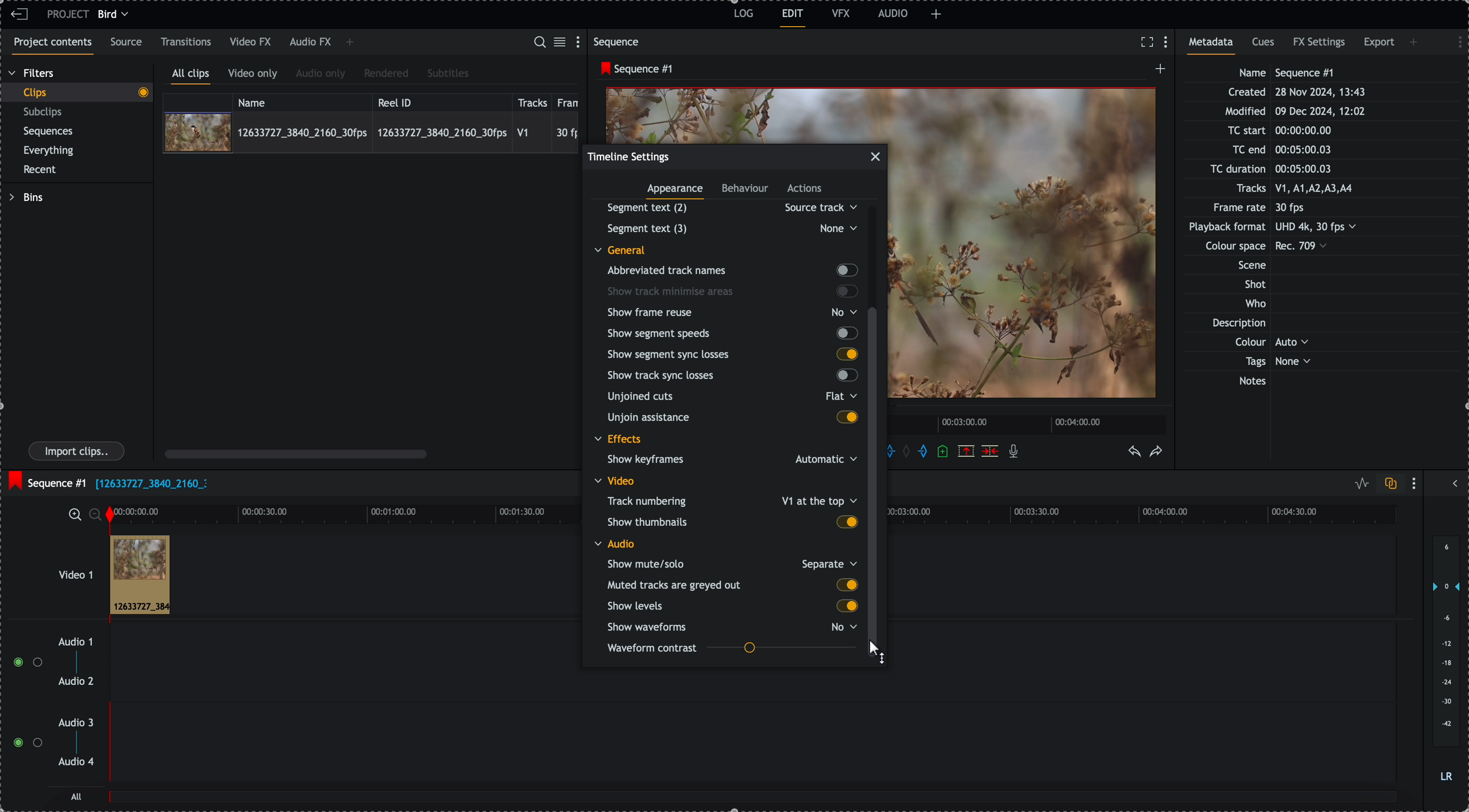 The image size is (1469, 812). What do you see at coordinates (562, 43) in the screenshot?
I see `toggle between list and tile view` at bounding box center [562, 43].